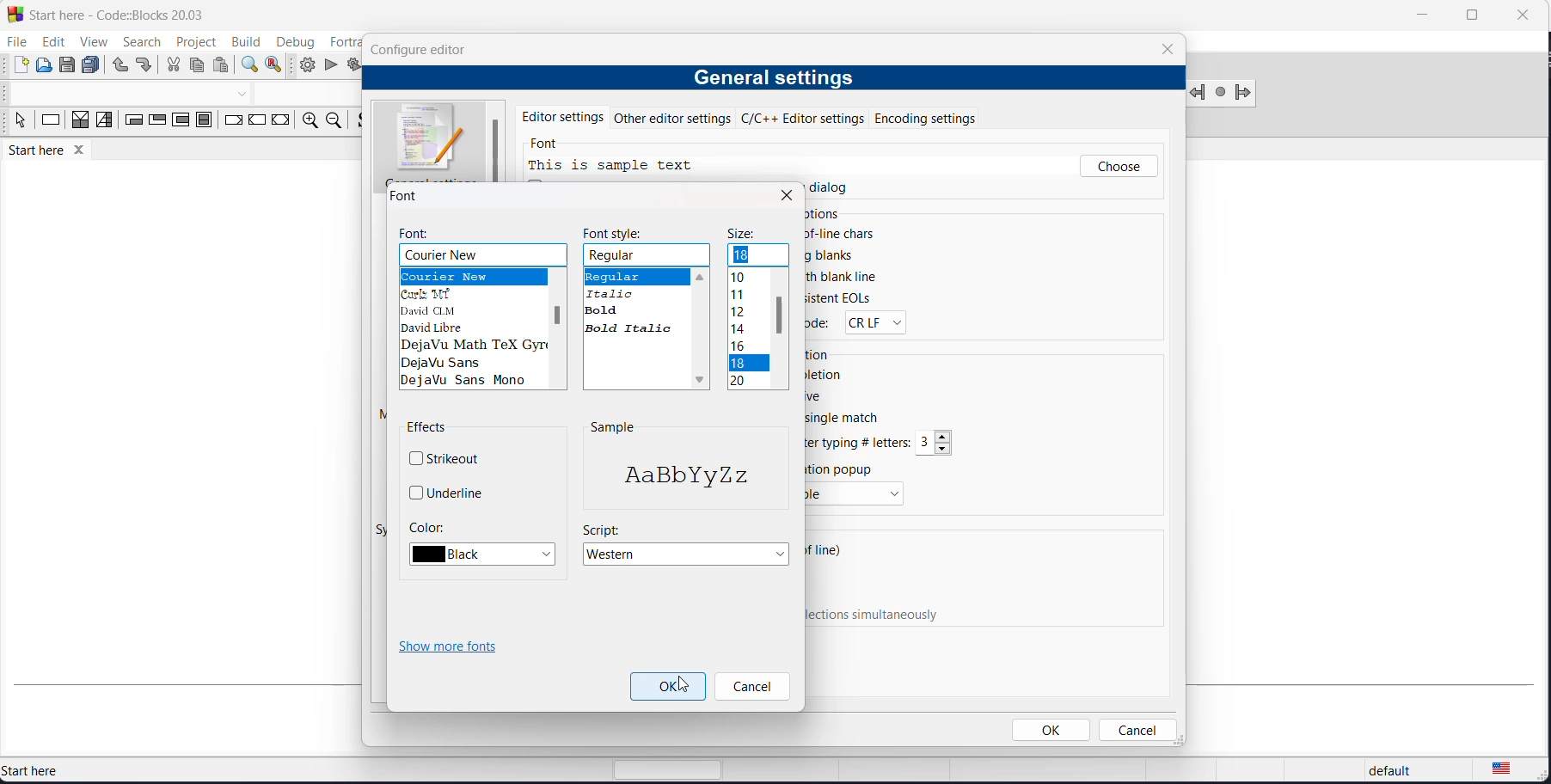 The height and width of the screenshot is (784, 1551). Describe the element at coordinates (449, 492) in the screenshot. I see `underline checkbox` at that location.